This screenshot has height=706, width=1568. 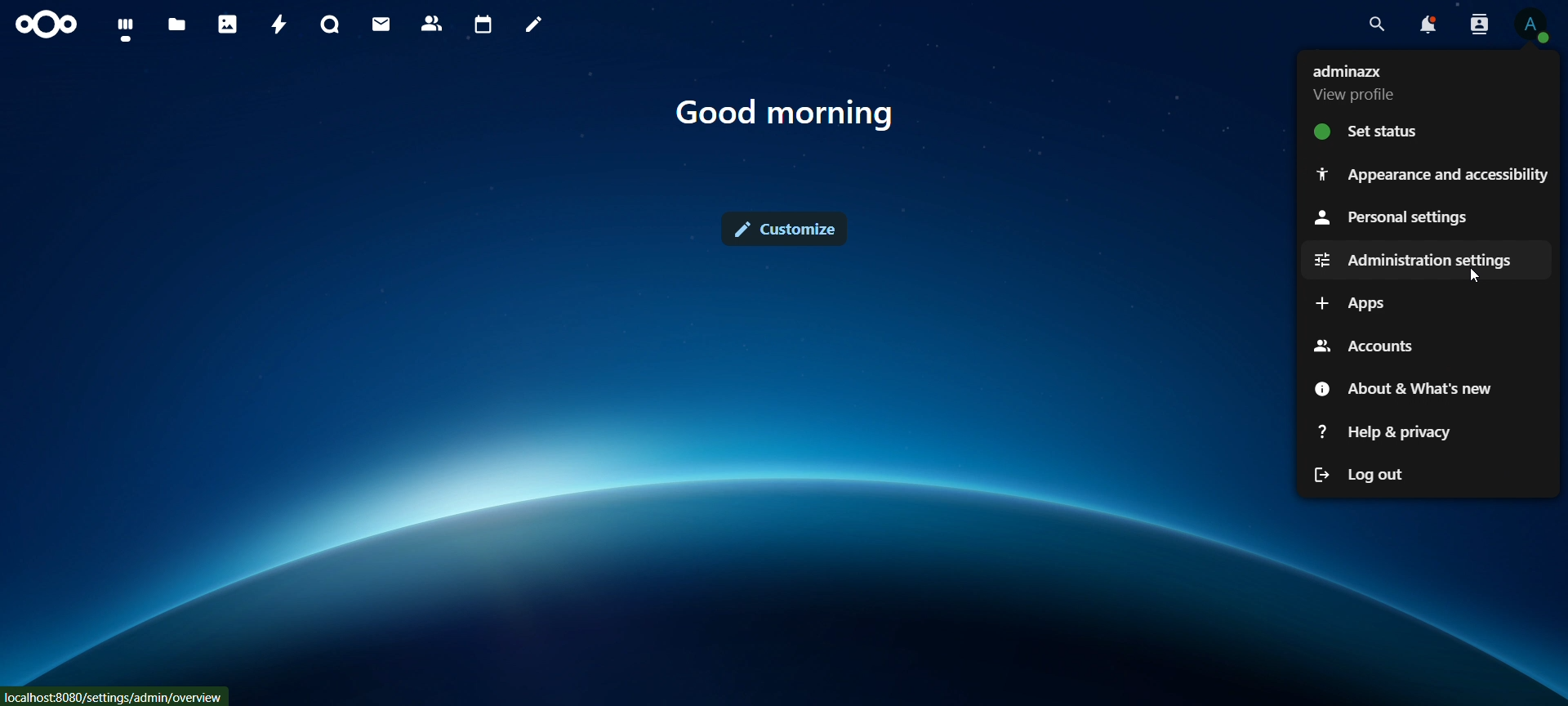 I want to click on icon, so click(x=48, y=25).